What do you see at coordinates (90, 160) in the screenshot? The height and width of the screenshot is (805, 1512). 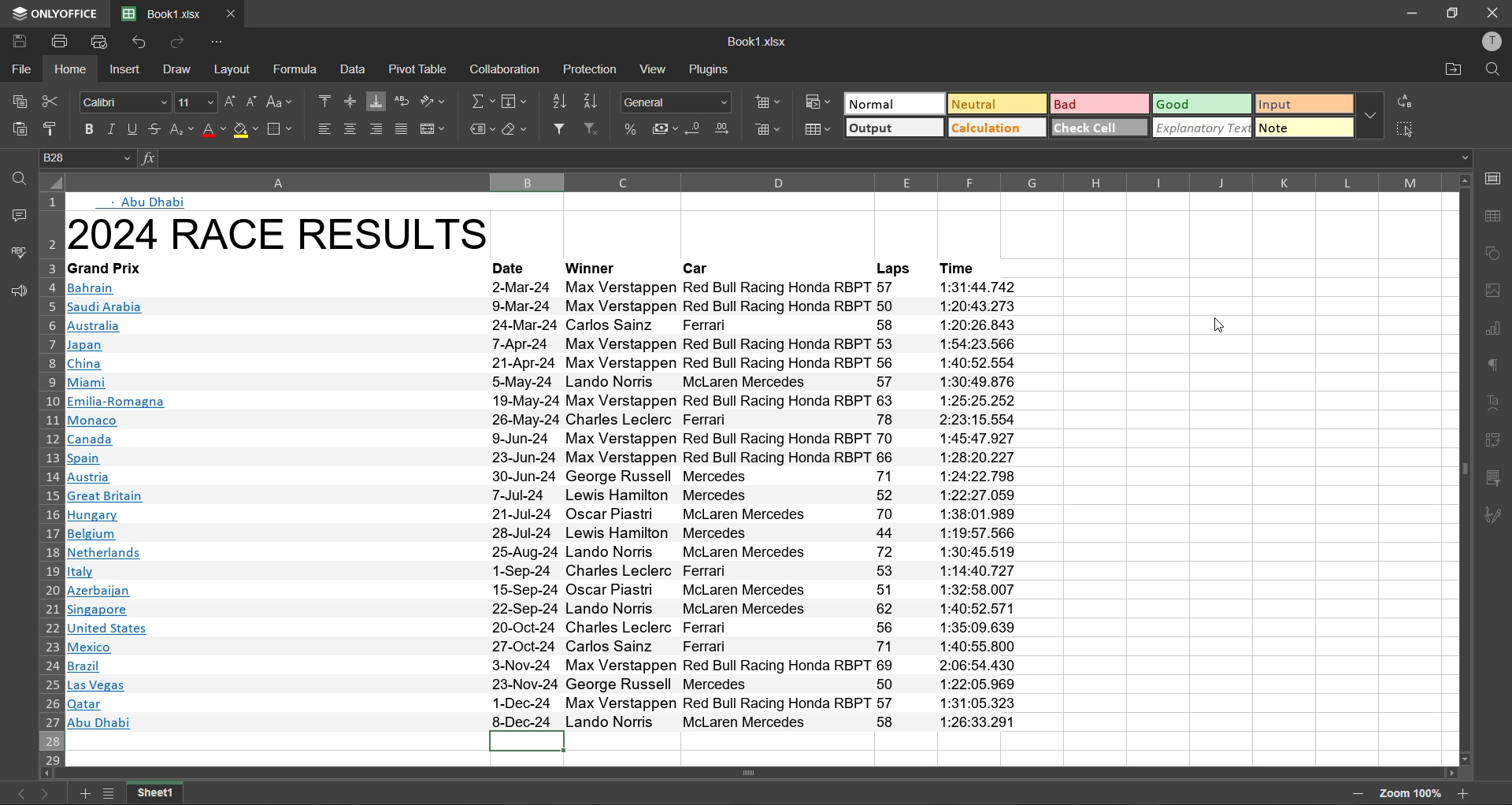 I see `cell address` at bounding box center [90, 160].